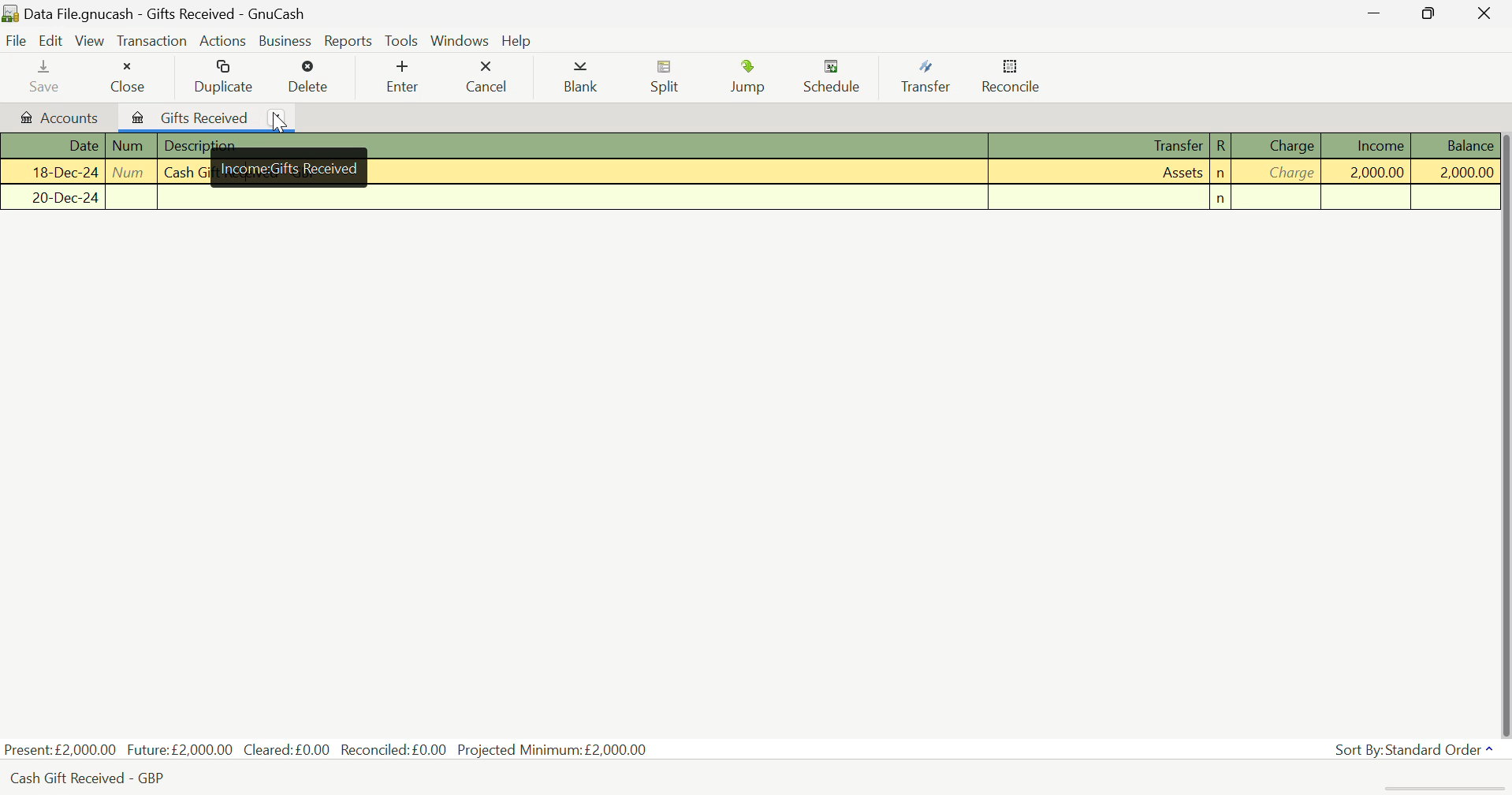 The width and height of the screenshot is (1512, 795). What do you see at coordinates (401, 77) in the screenshot?
I see `Enter` at bounding box center [401, 77].